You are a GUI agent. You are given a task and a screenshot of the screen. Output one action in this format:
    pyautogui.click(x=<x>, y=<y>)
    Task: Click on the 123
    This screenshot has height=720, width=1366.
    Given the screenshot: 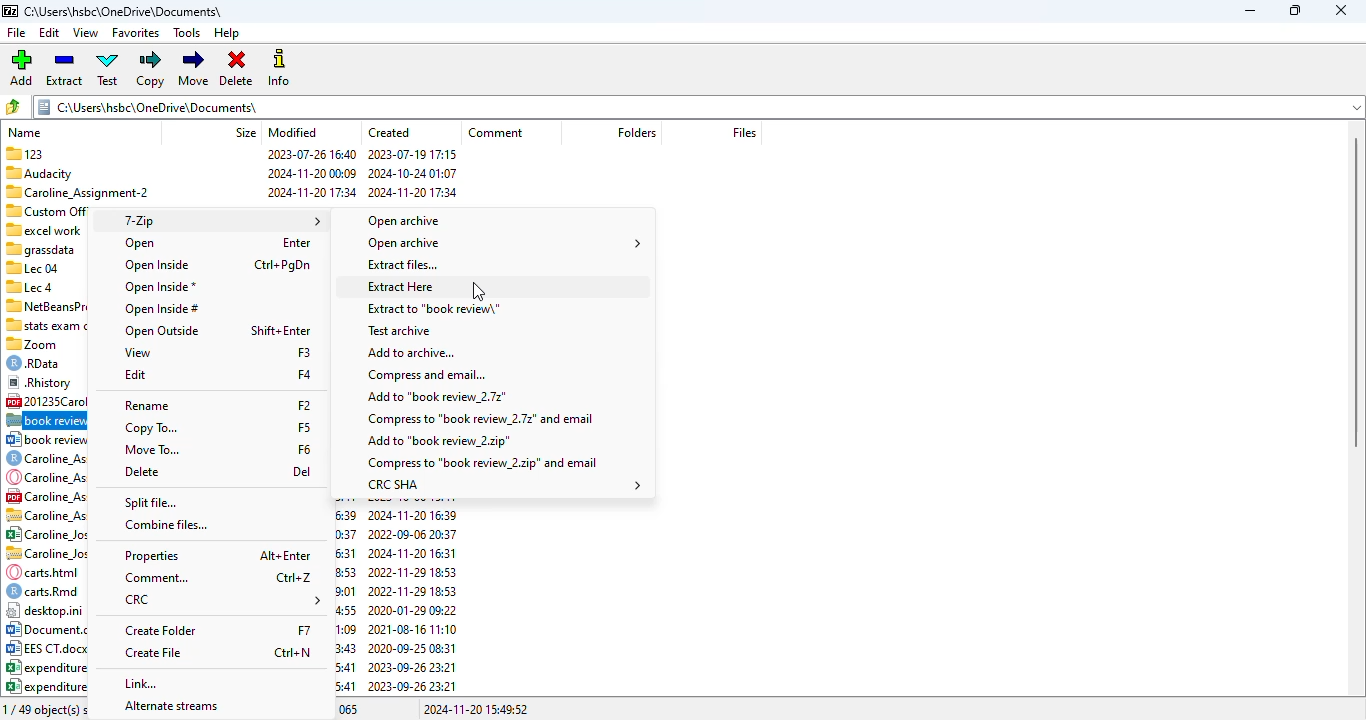 What is the action you would take?
    pyautogui.click(x=24, y=154)
    